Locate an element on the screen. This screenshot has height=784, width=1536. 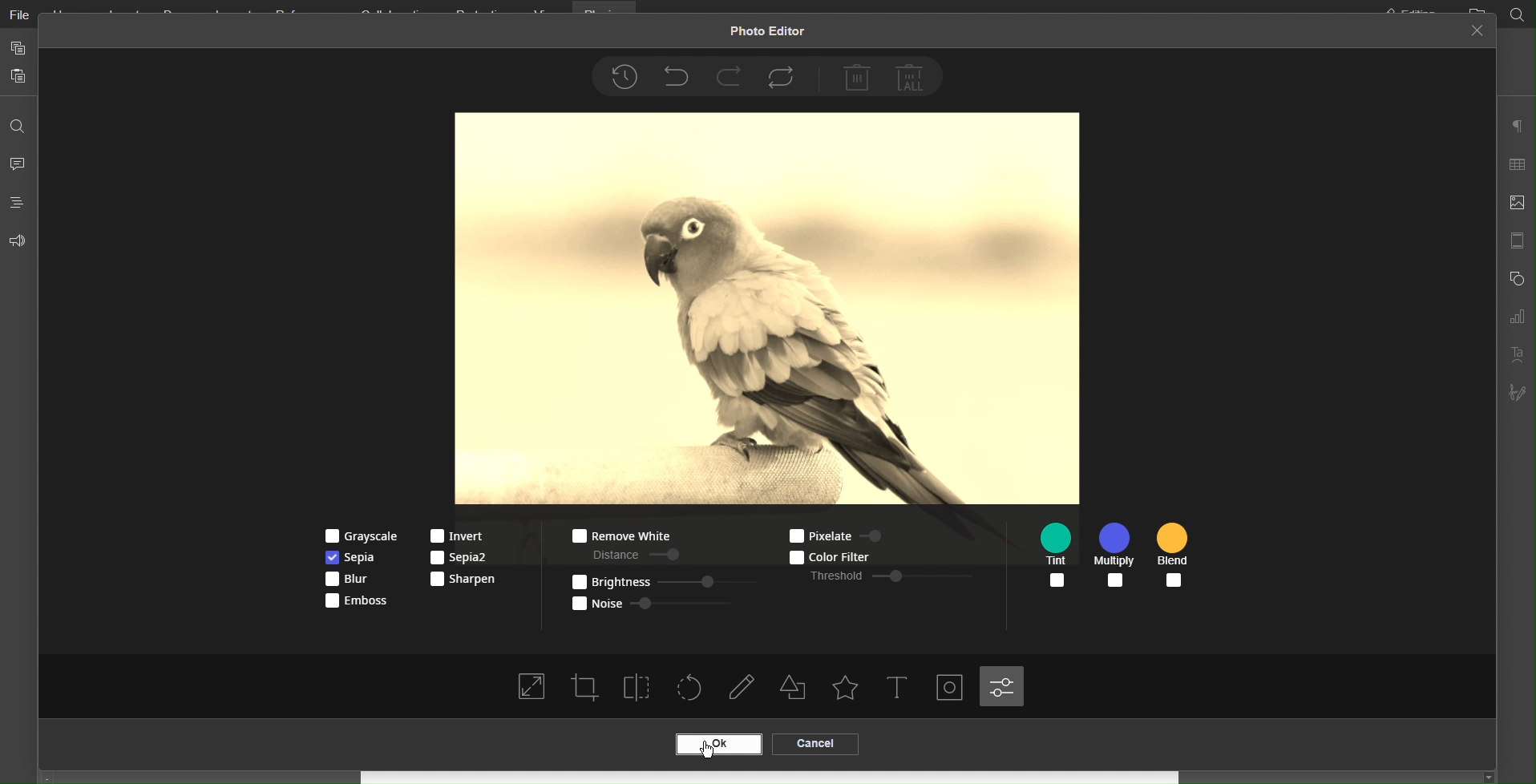
Write is located at coordinates (745, 689).